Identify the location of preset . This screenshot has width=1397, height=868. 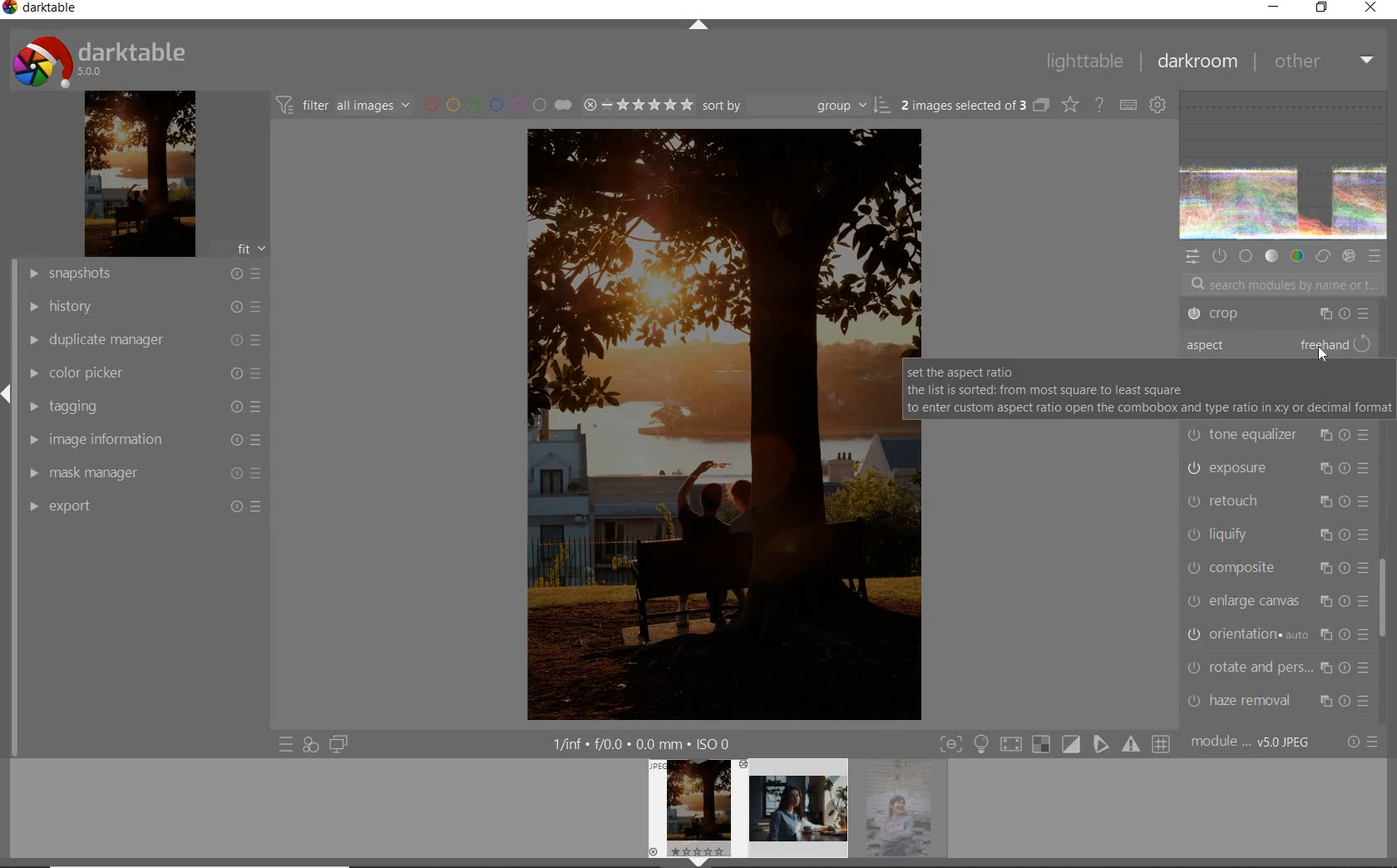
(1375, 254).